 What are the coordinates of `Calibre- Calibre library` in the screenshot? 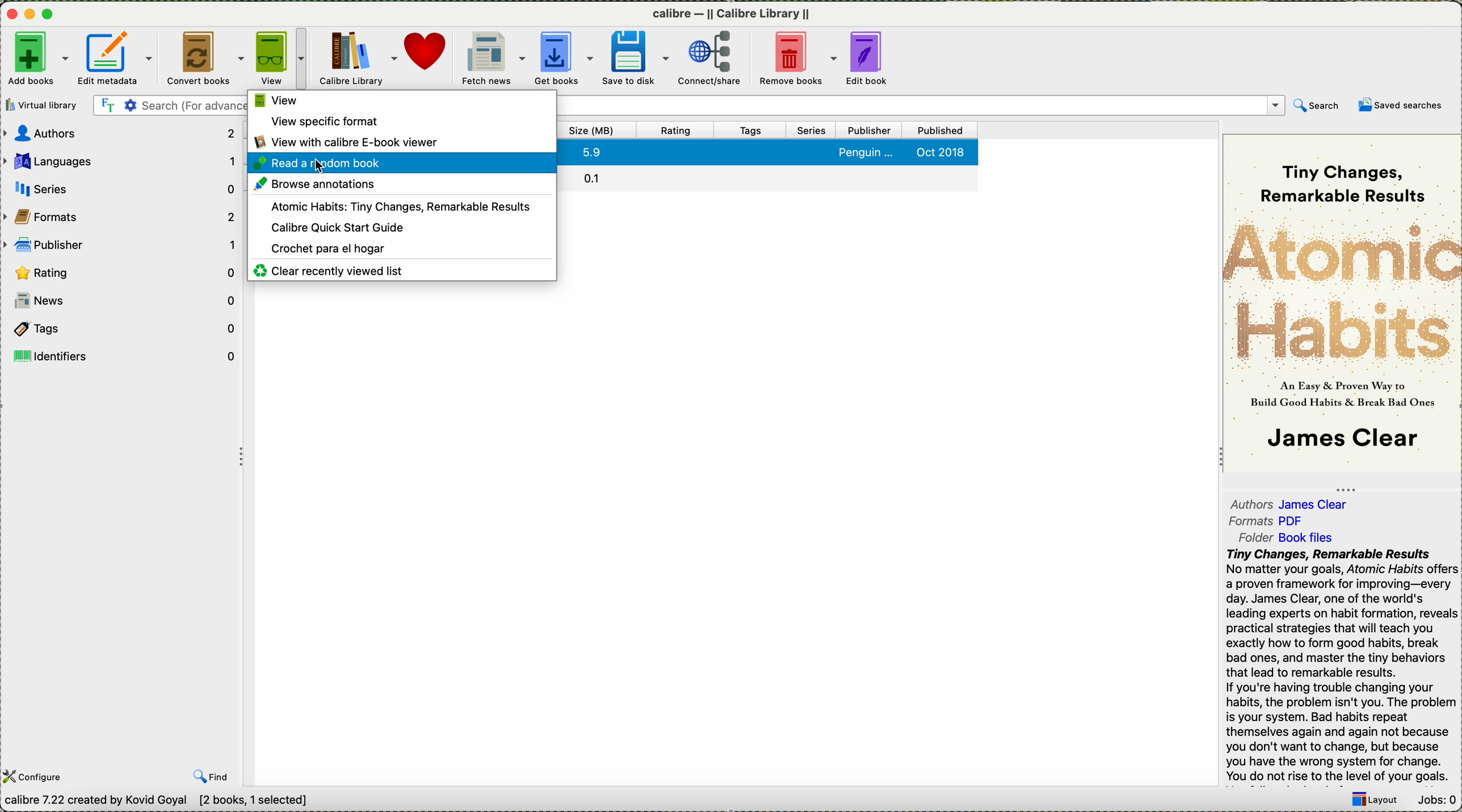 It's located at (731, 14).